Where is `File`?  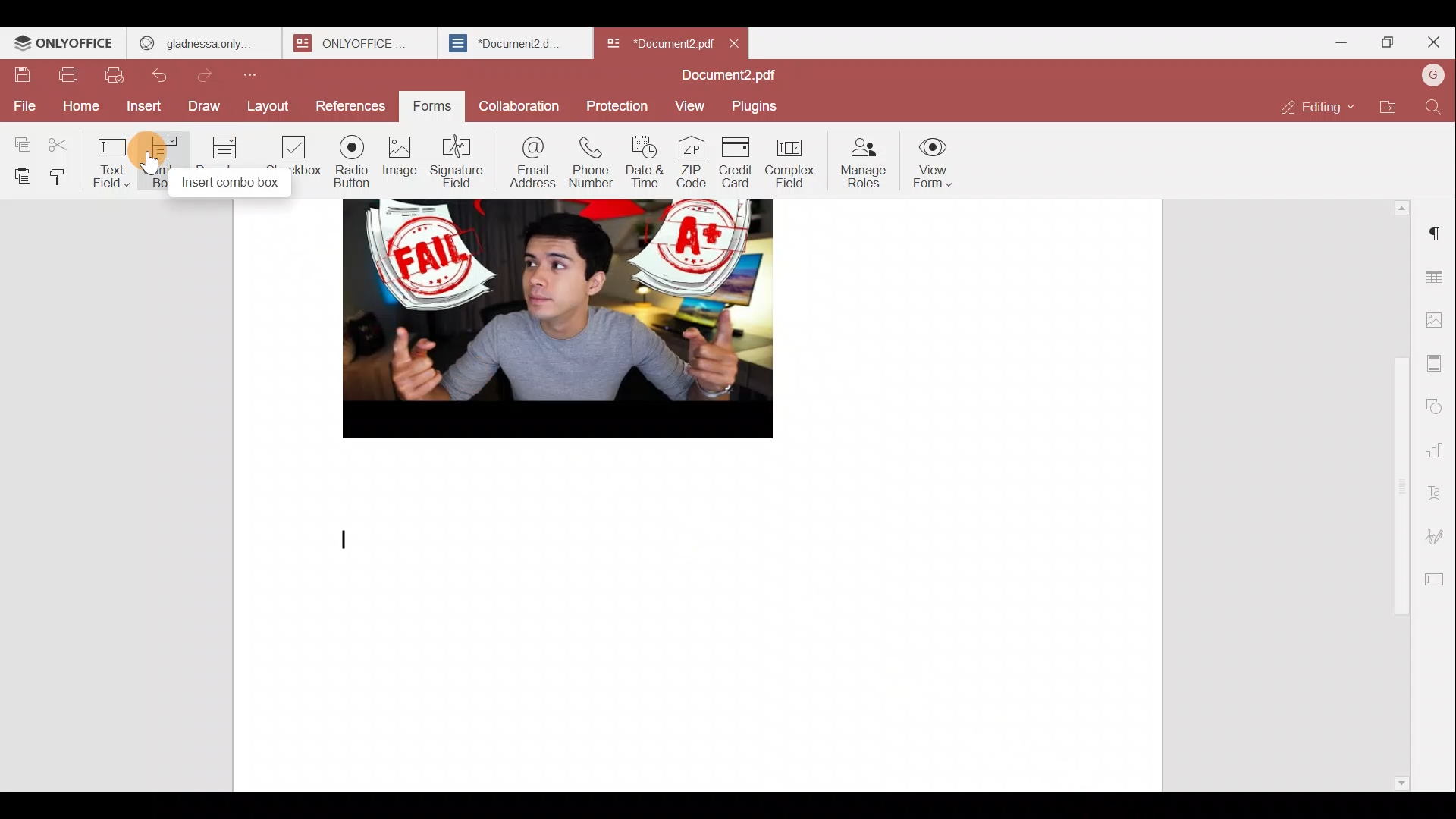 File is located at coordinates (21, 105).